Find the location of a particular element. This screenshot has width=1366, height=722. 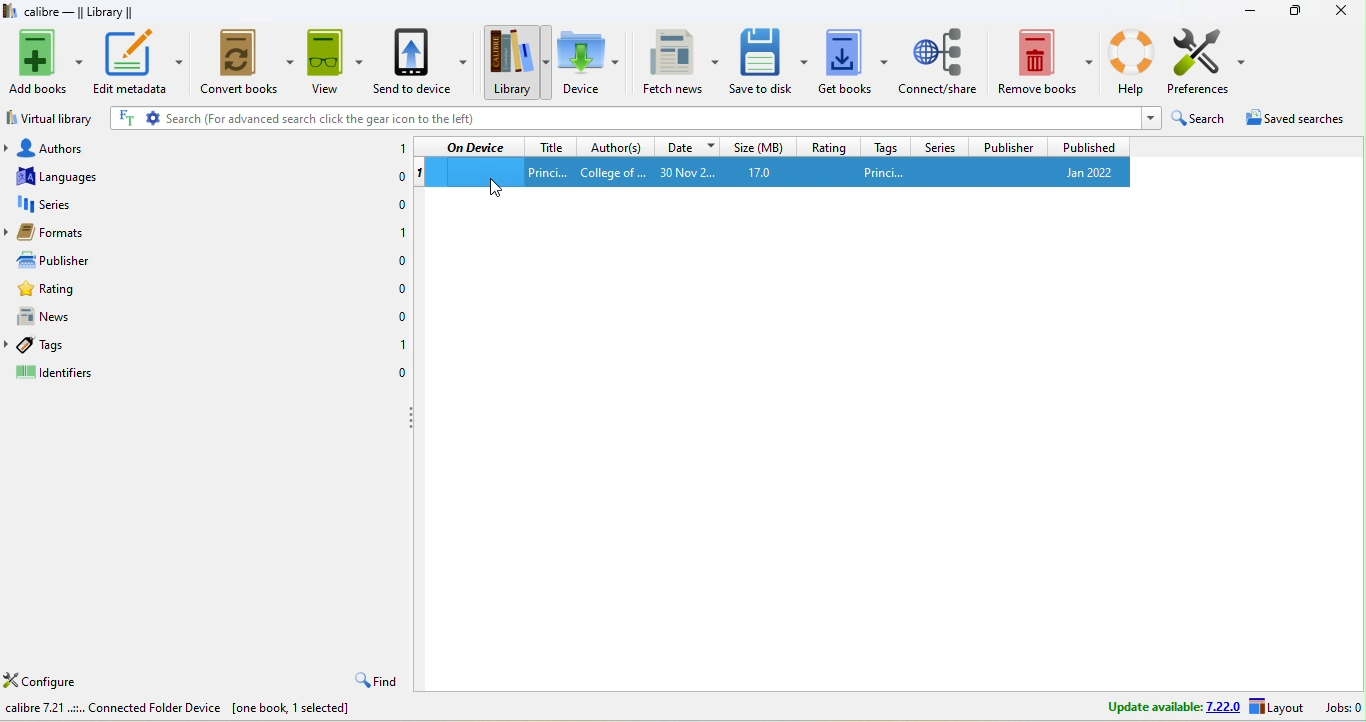

preference is located at coordinates (1209, 62).